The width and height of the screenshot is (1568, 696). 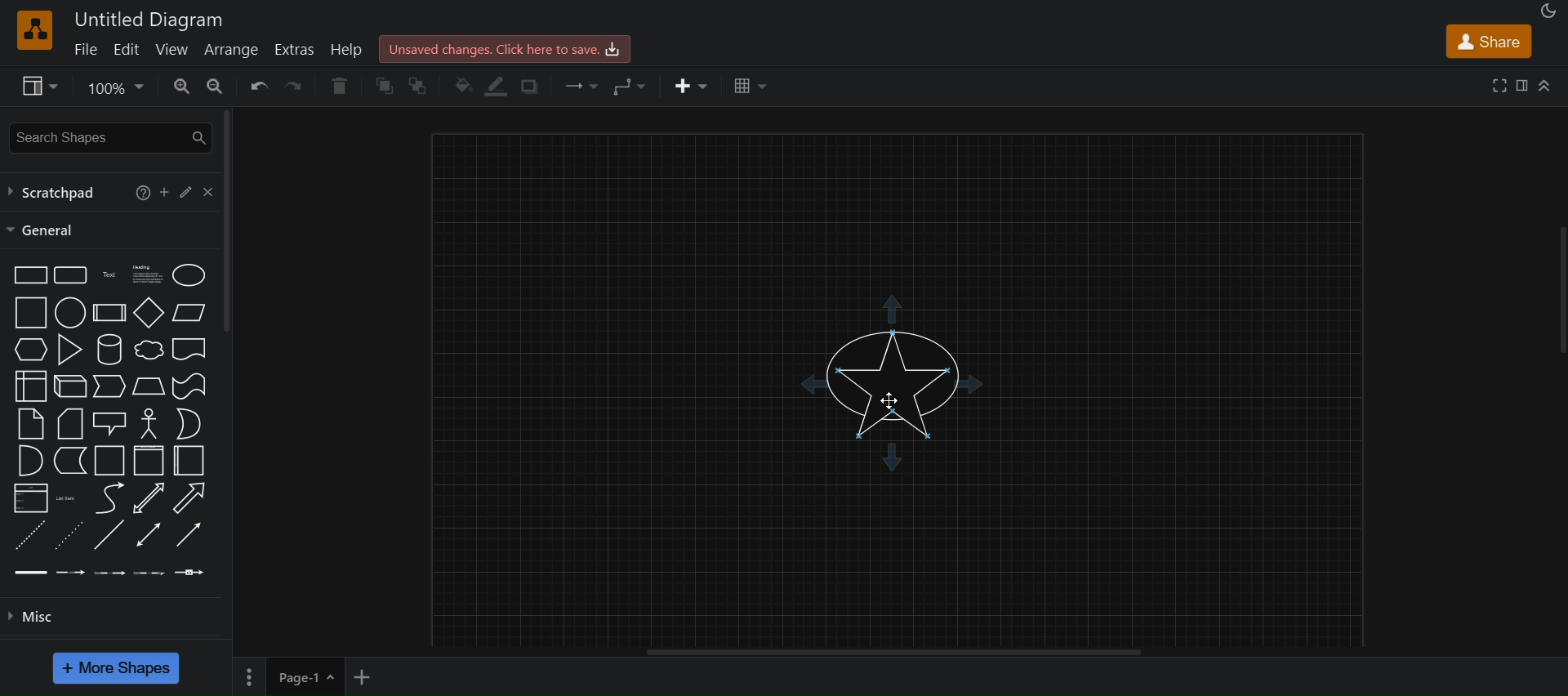 What do you see at coordinates (140, 194) in the screenshot?
I see `help` at bounding box center [140, 194].